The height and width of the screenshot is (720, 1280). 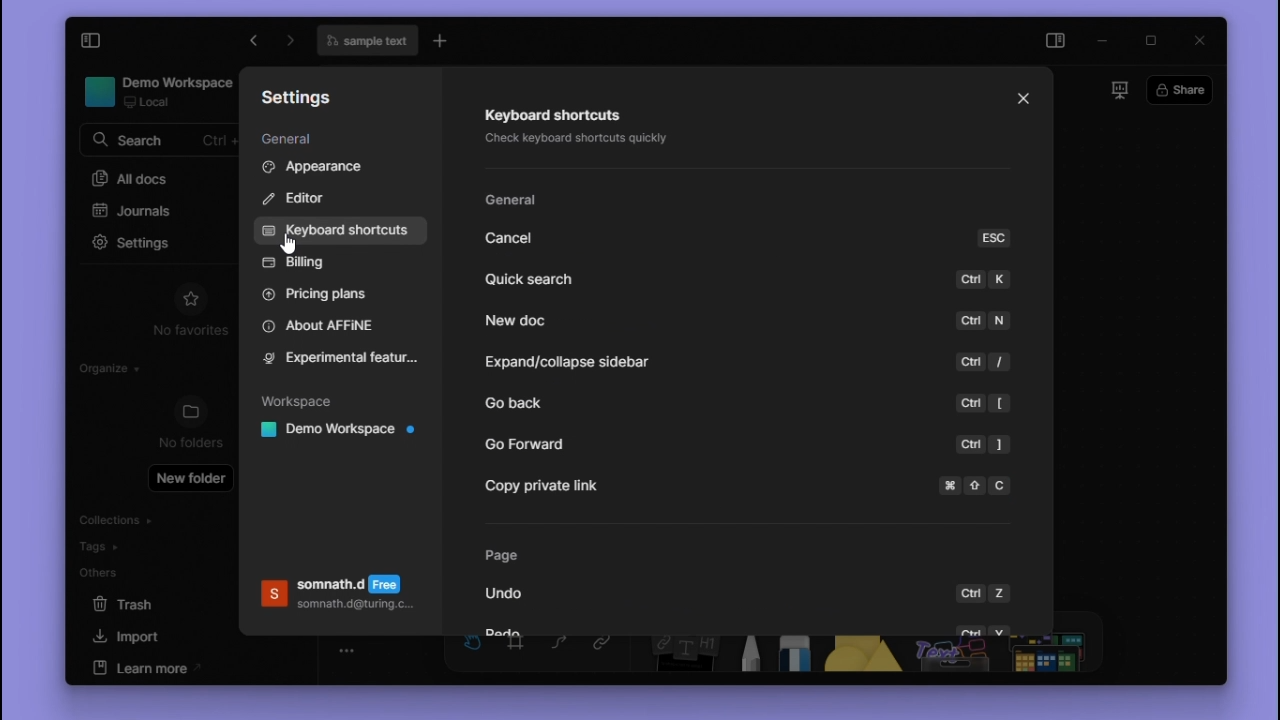 I want to click on page, so click(x=507, y=557).